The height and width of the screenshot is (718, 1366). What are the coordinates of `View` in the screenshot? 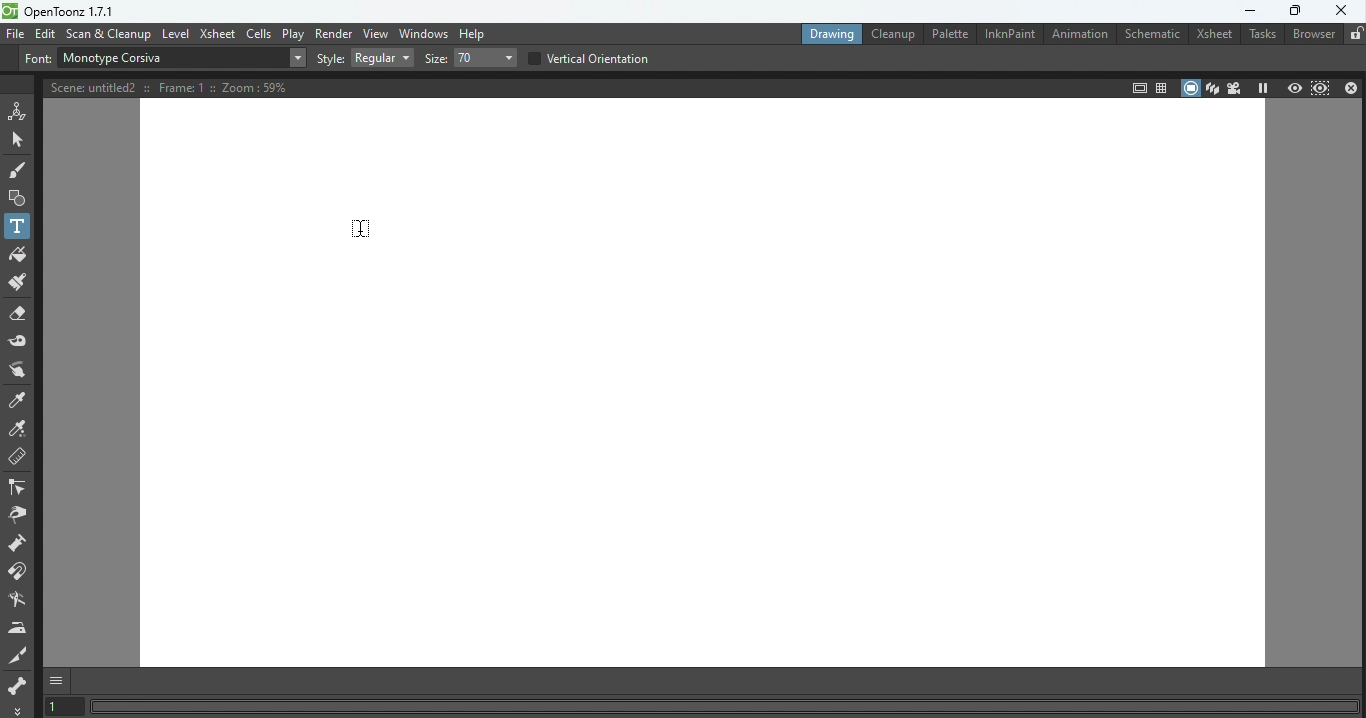 It's located at (379, 33).